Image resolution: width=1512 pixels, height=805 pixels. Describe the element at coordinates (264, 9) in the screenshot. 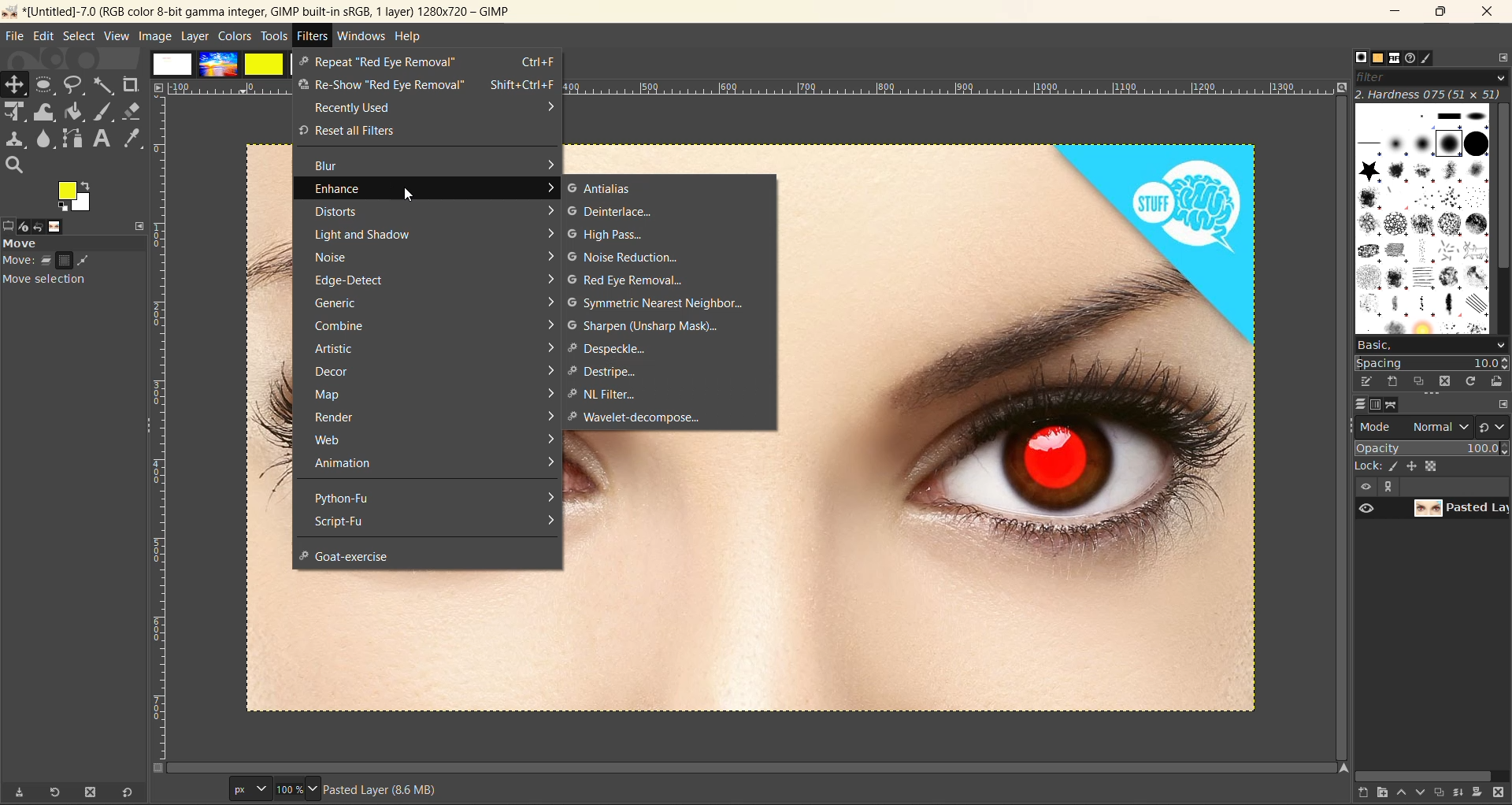

I see `app name and file name` at that location.